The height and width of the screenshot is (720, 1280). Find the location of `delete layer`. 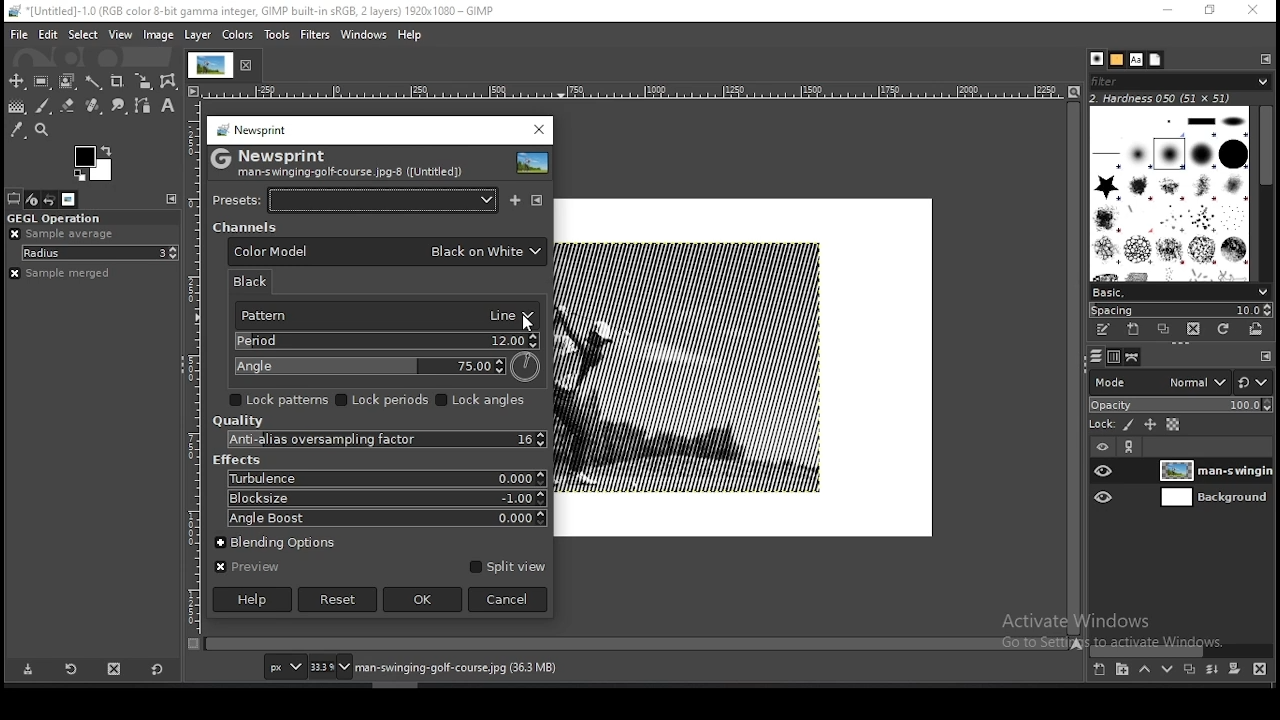

delete layer is located at coordinates (1264, 669).